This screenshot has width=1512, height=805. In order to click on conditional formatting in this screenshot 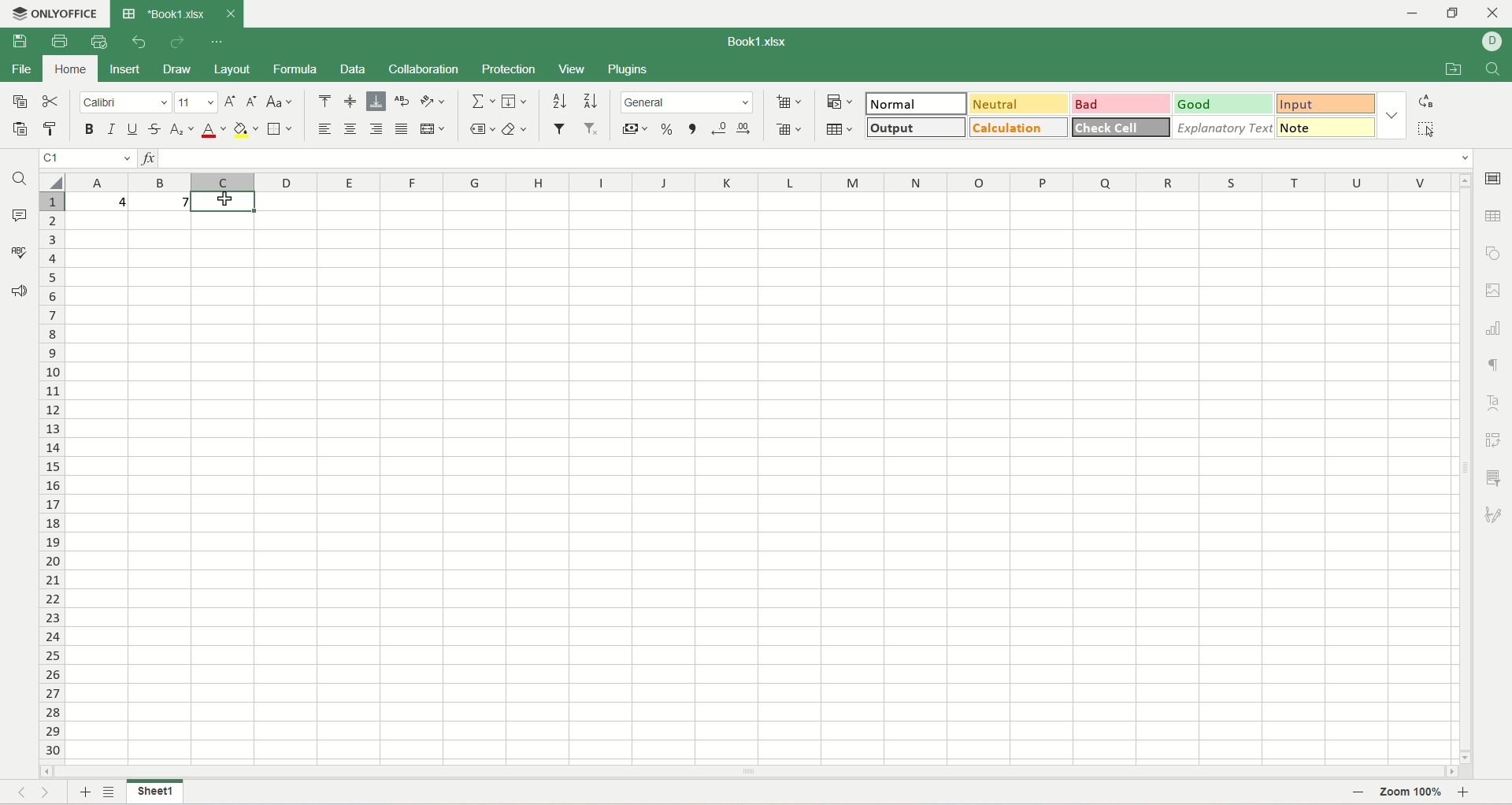, I will do `click(842, 99)`.